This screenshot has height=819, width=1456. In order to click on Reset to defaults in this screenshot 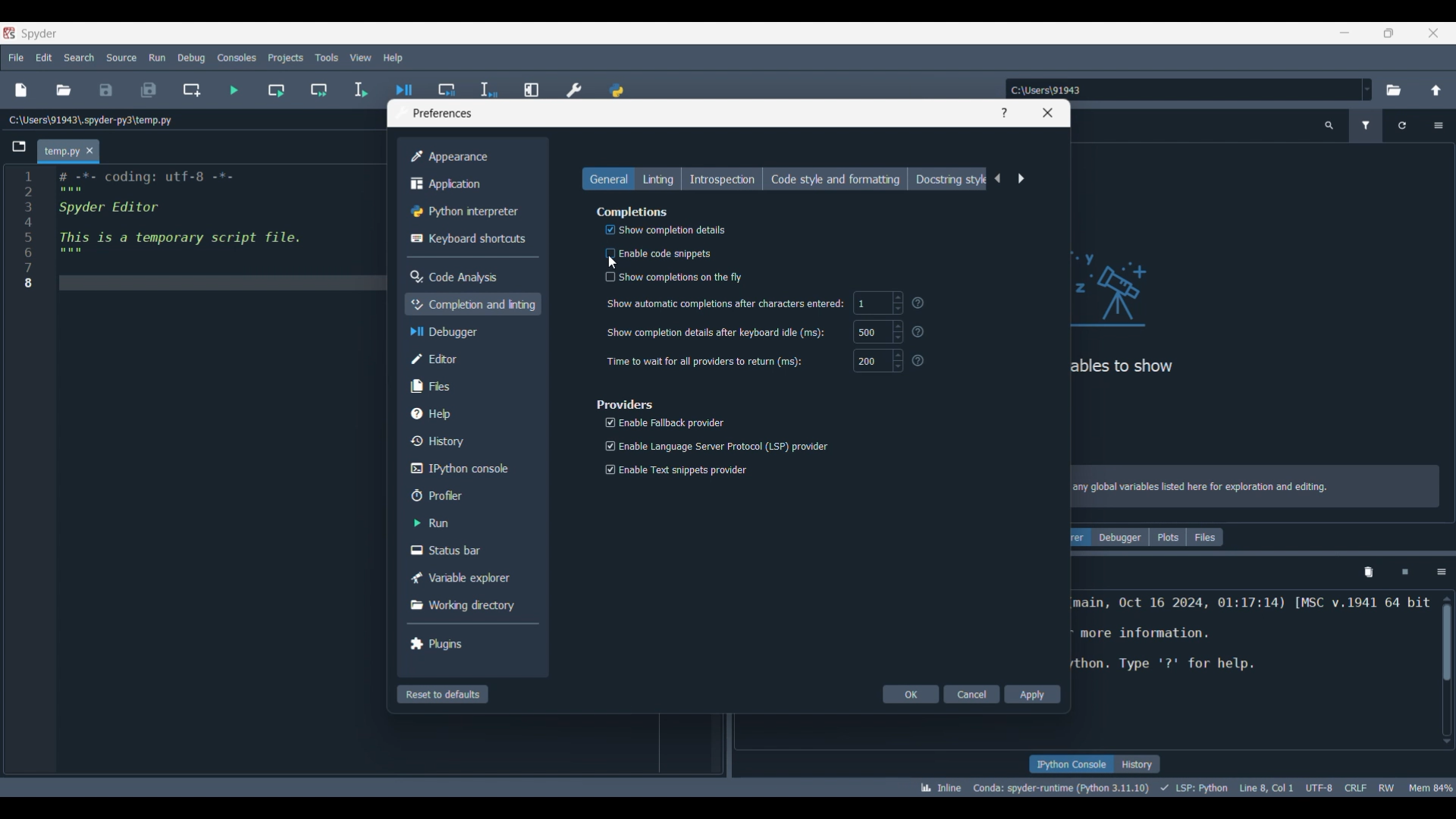, I will do `click(443, 694)`.